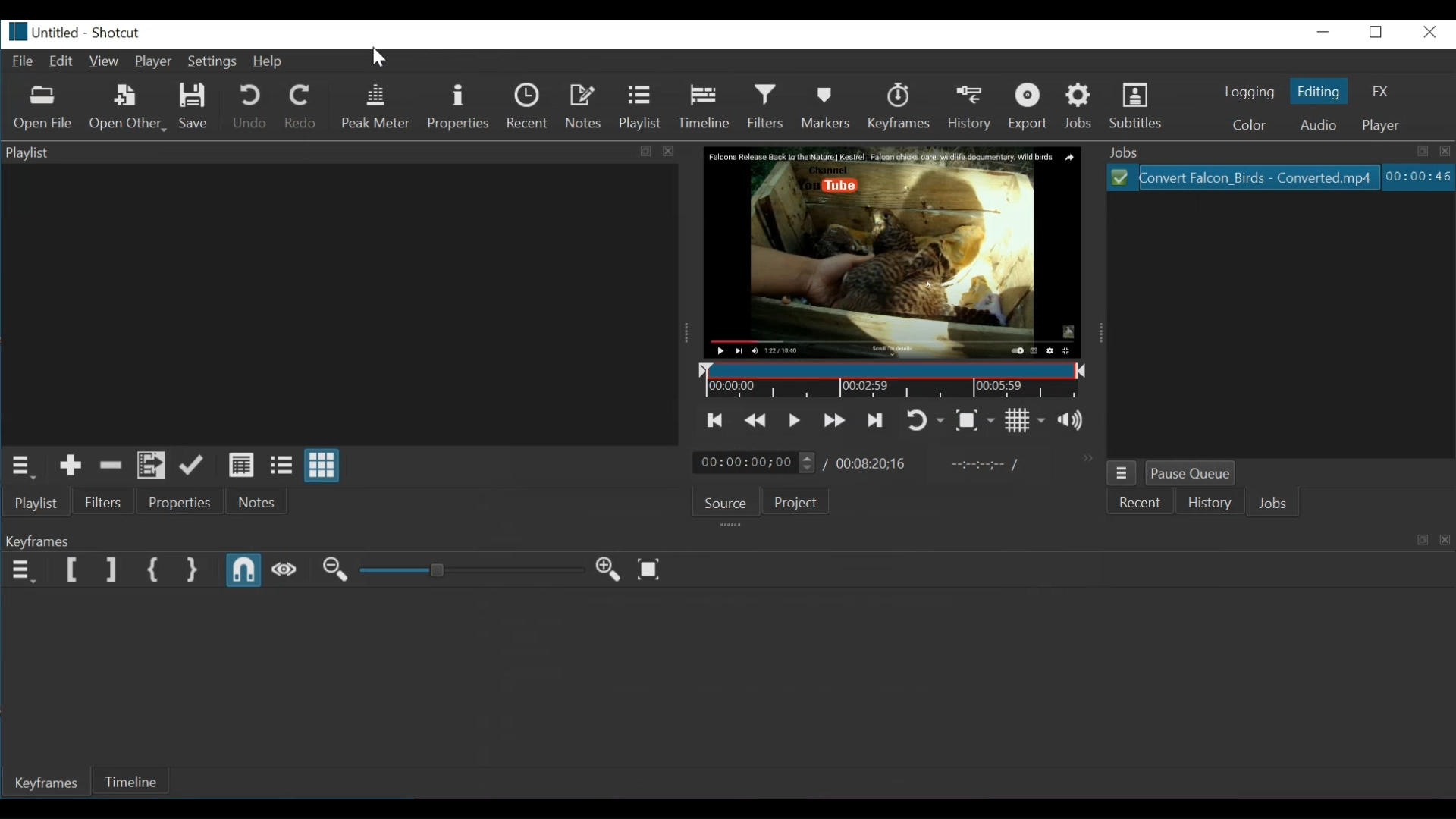 The height and width of the screenshot is (819, 1456). I want to click on Update, so click(193, 466).